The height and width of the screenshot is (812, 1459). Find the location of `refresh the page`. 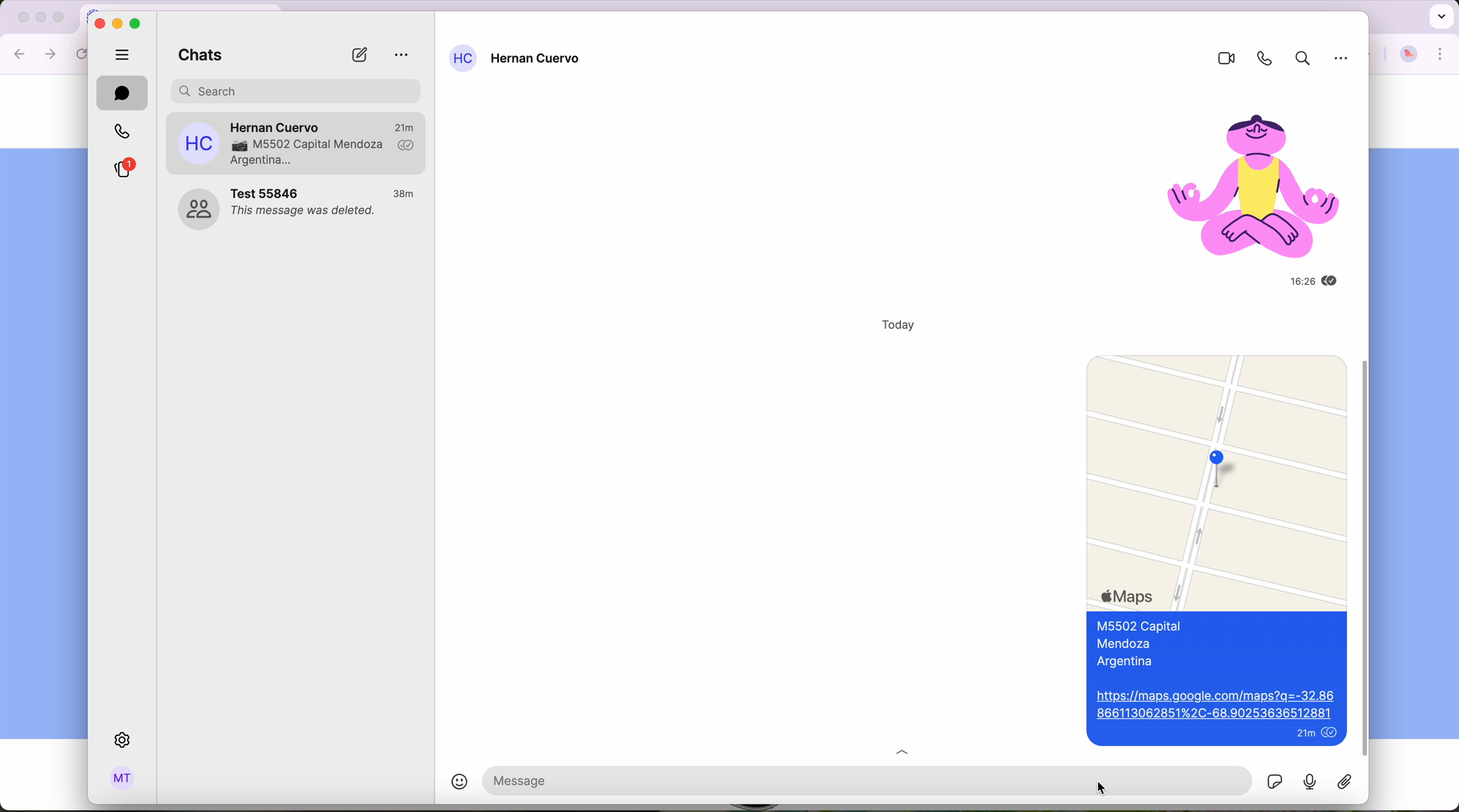

refresh the page is located at coordinates (84, 54).